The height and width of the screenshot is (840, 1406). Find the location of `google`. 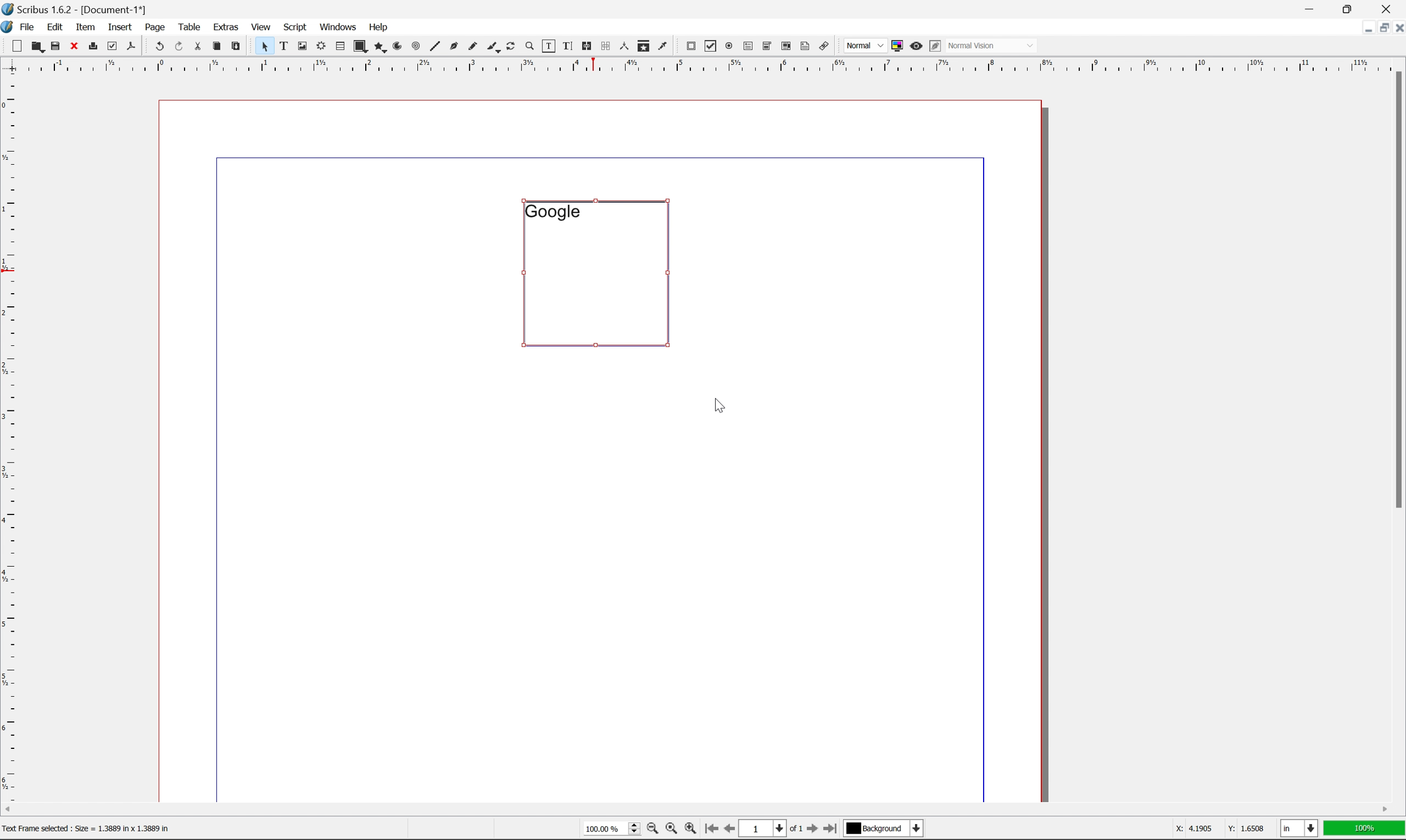

google is located at coordinates (552, 211).